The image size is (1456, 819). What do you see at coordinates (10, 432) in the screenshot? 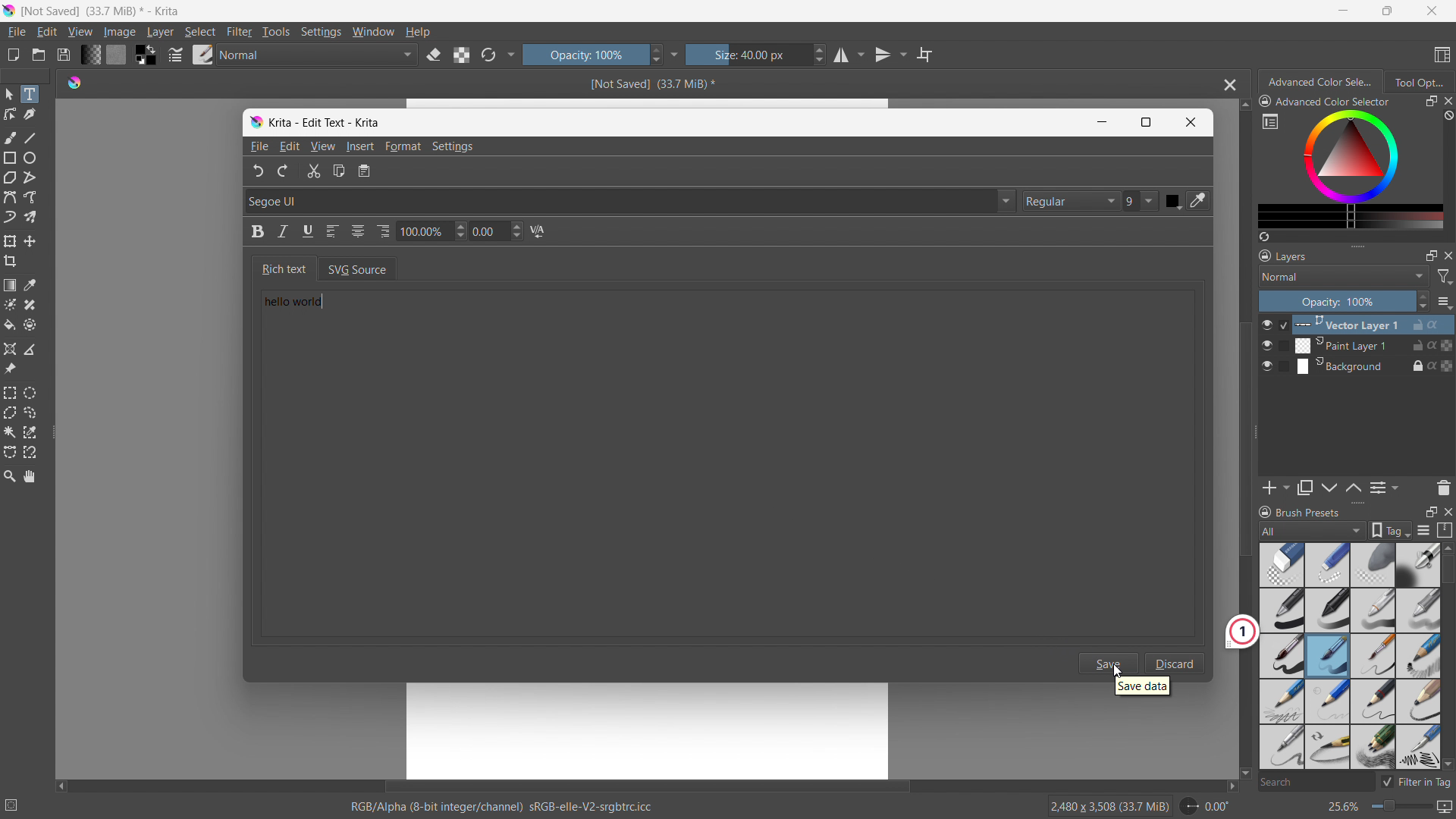
I see `contigious selection tool` at bounding box center [10, 432].